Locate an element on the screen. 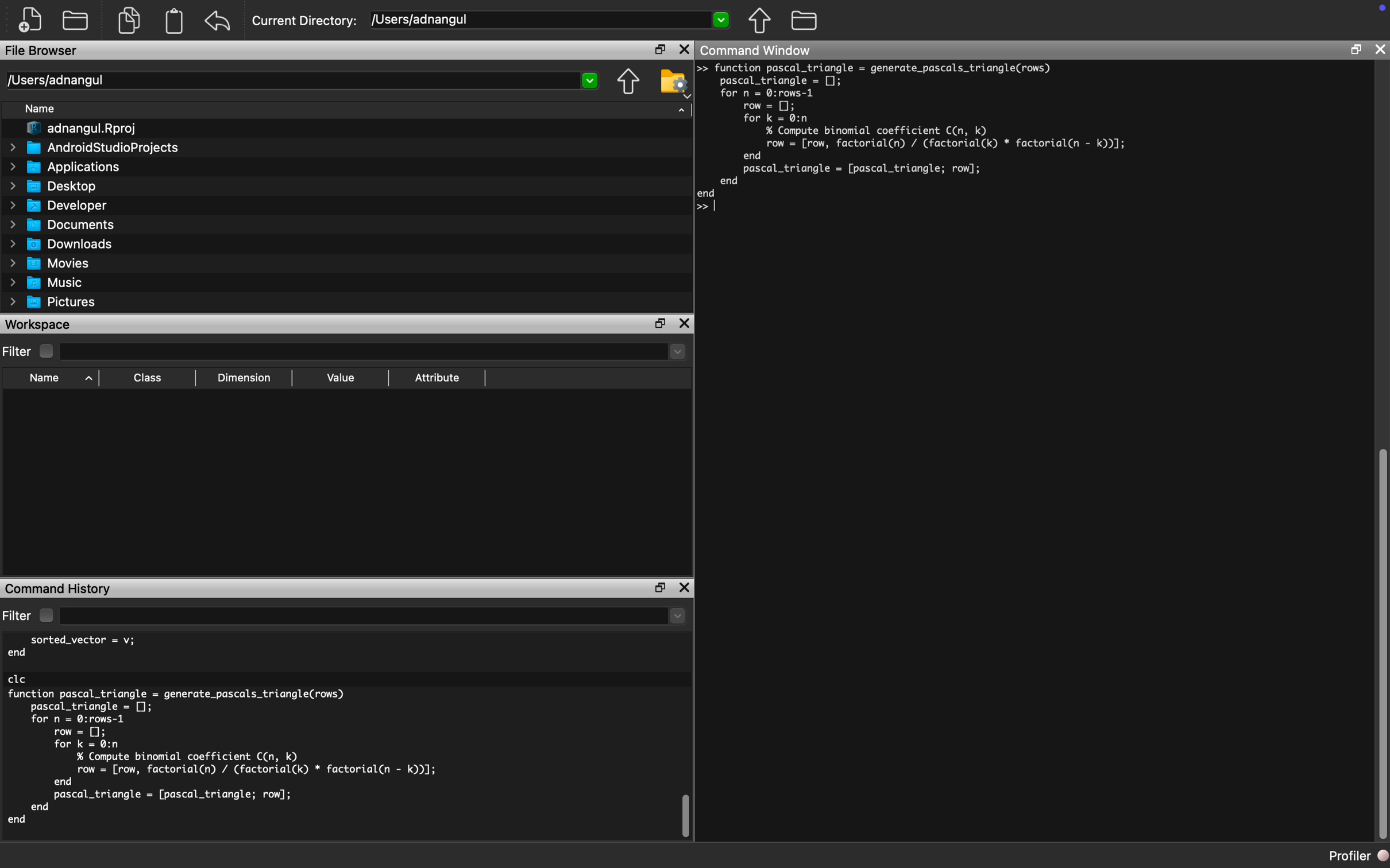 The height and width of the screenshot is (868, 1390). Dimension is located at coordinates (242, 378).